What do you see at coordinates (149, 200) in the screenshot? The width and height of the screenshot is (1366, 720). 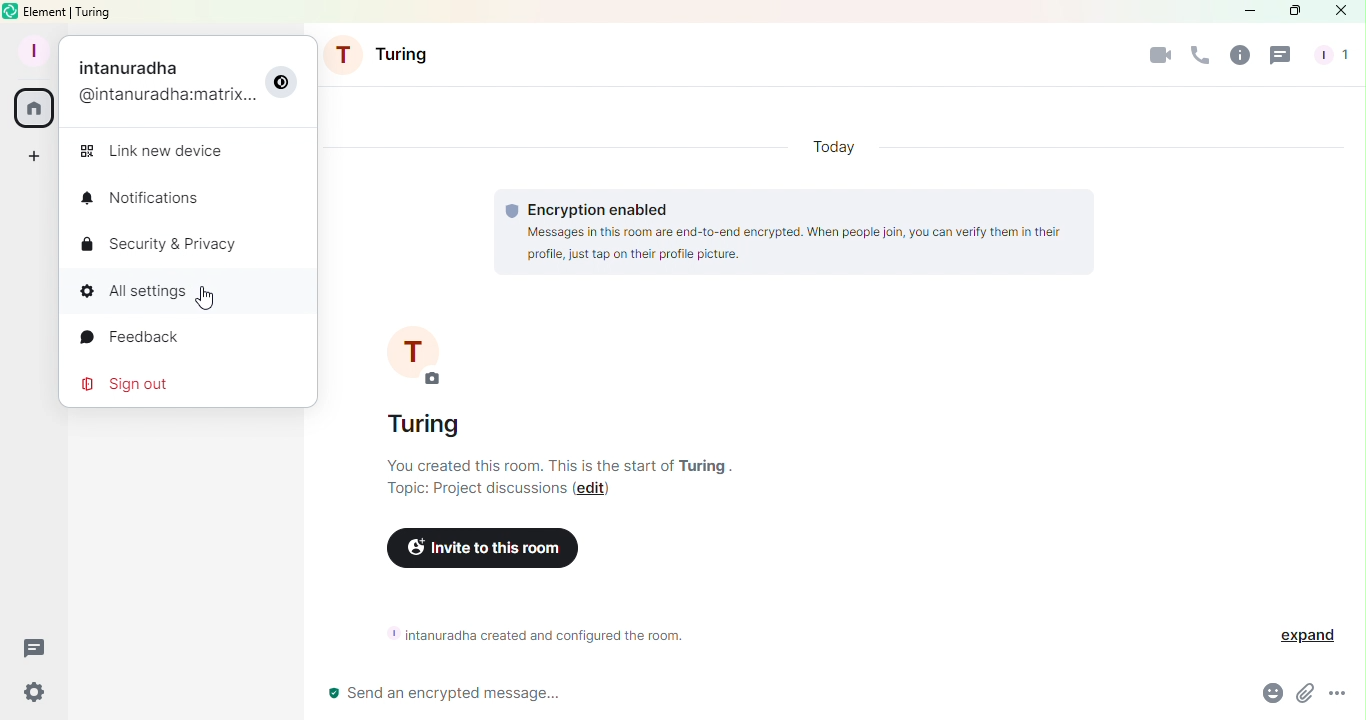 I see `Notifications` at bounding box center [149, 200].